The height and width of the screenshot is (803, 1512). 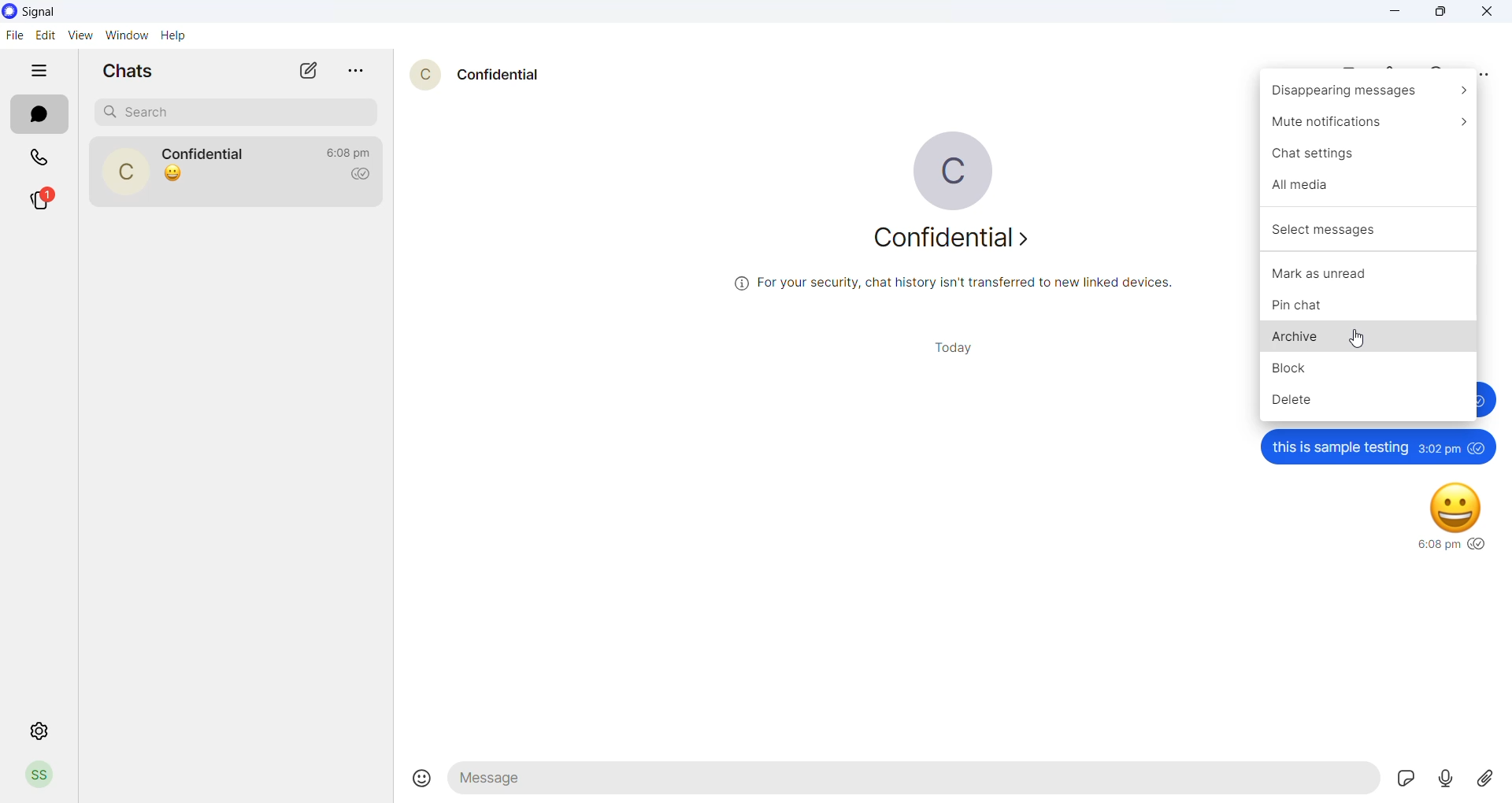 What do you see at coordinates (350, 152) in the screenshot?
I see `last message time` at bounding box center [350, 152].